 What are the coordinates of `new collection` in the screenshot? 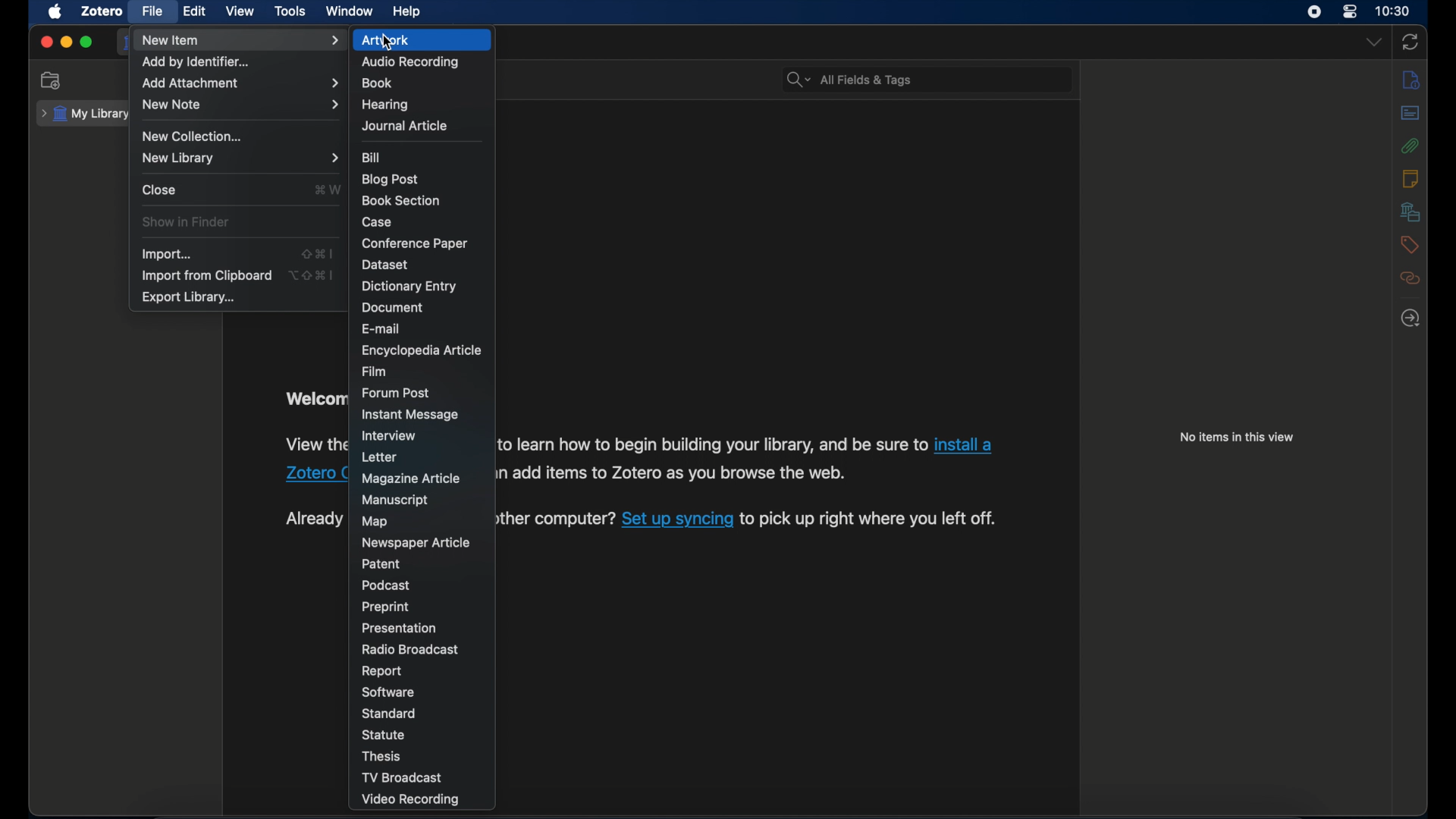 It's located at (51, 80).